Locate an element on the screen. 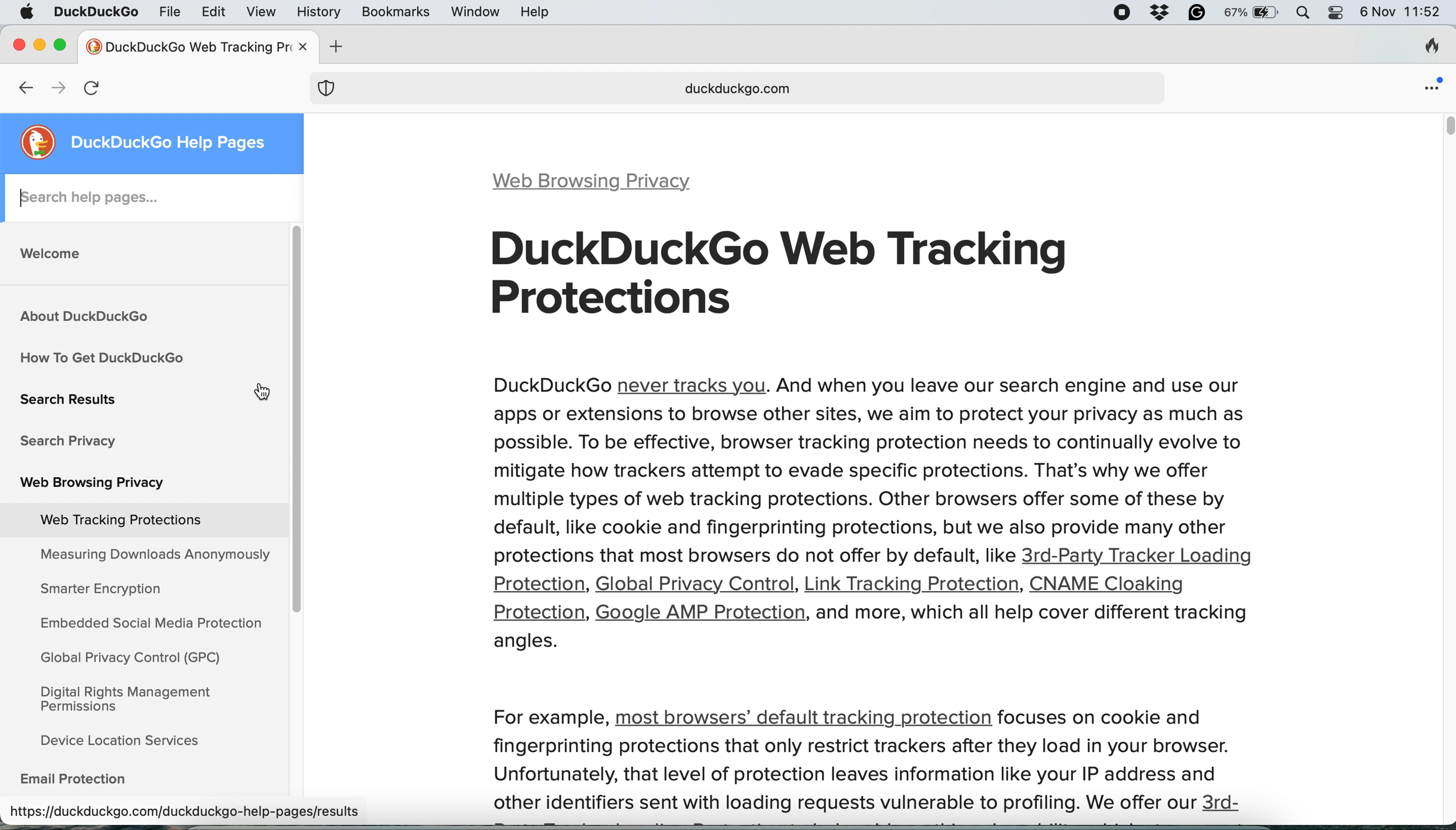  https://duckduckgo.com/duckduckgo-help-pages/results is located at coordinates (188, 813).